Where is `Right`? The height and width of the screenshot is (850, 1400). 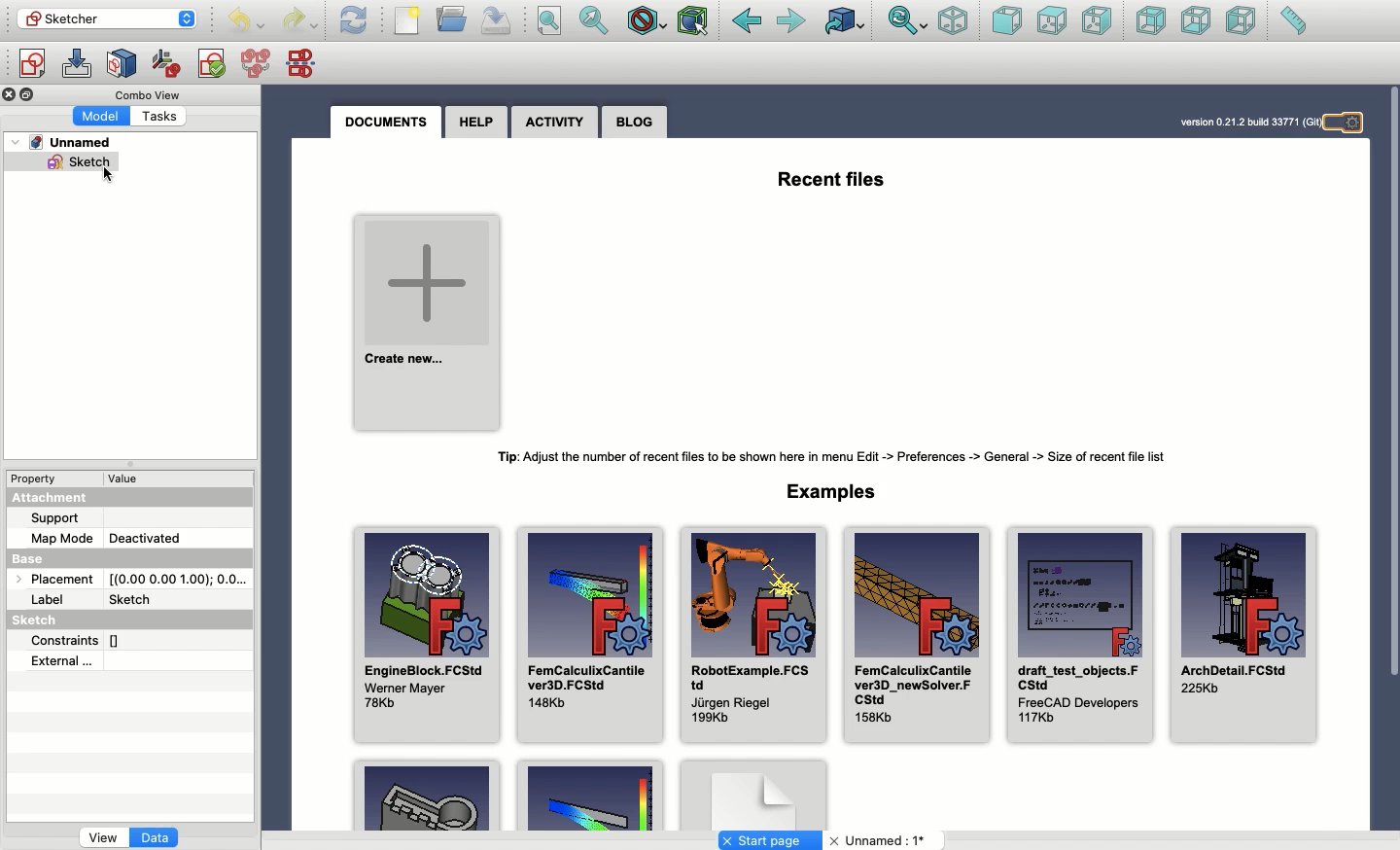 Right is located at coordinates (1096, 20).